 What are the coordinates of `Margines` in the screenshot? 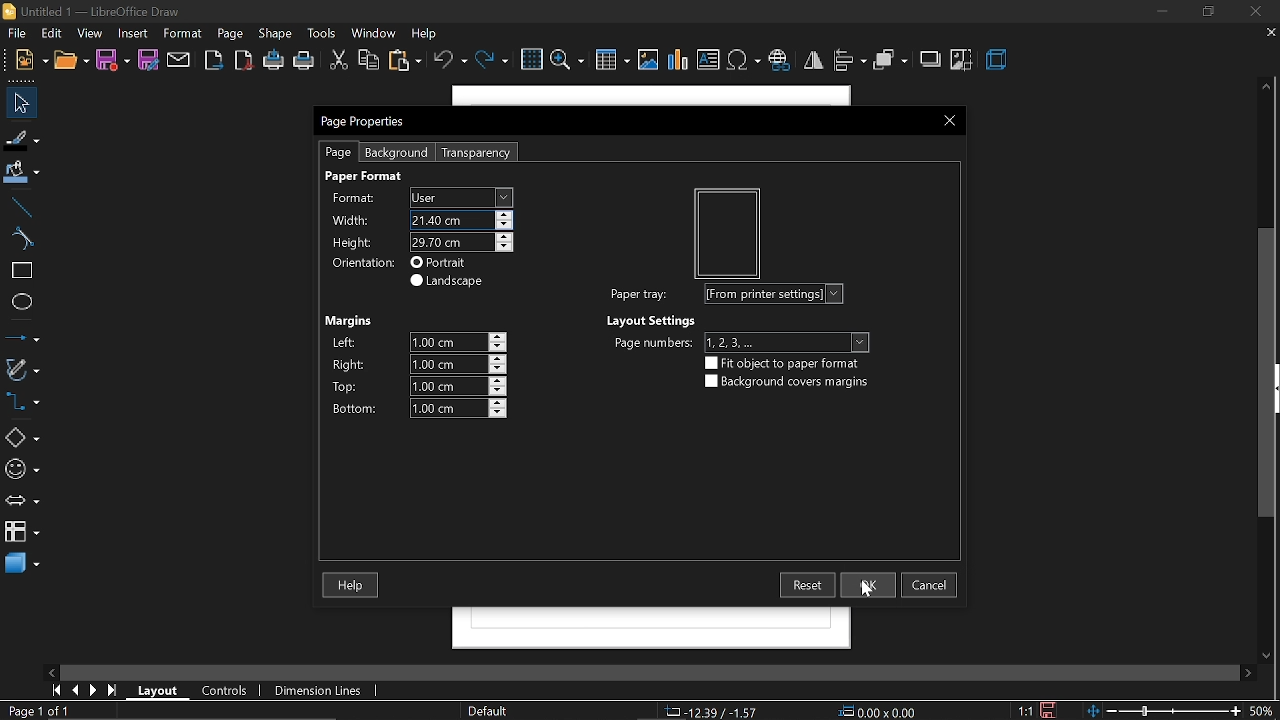 It's located at (346, 319).